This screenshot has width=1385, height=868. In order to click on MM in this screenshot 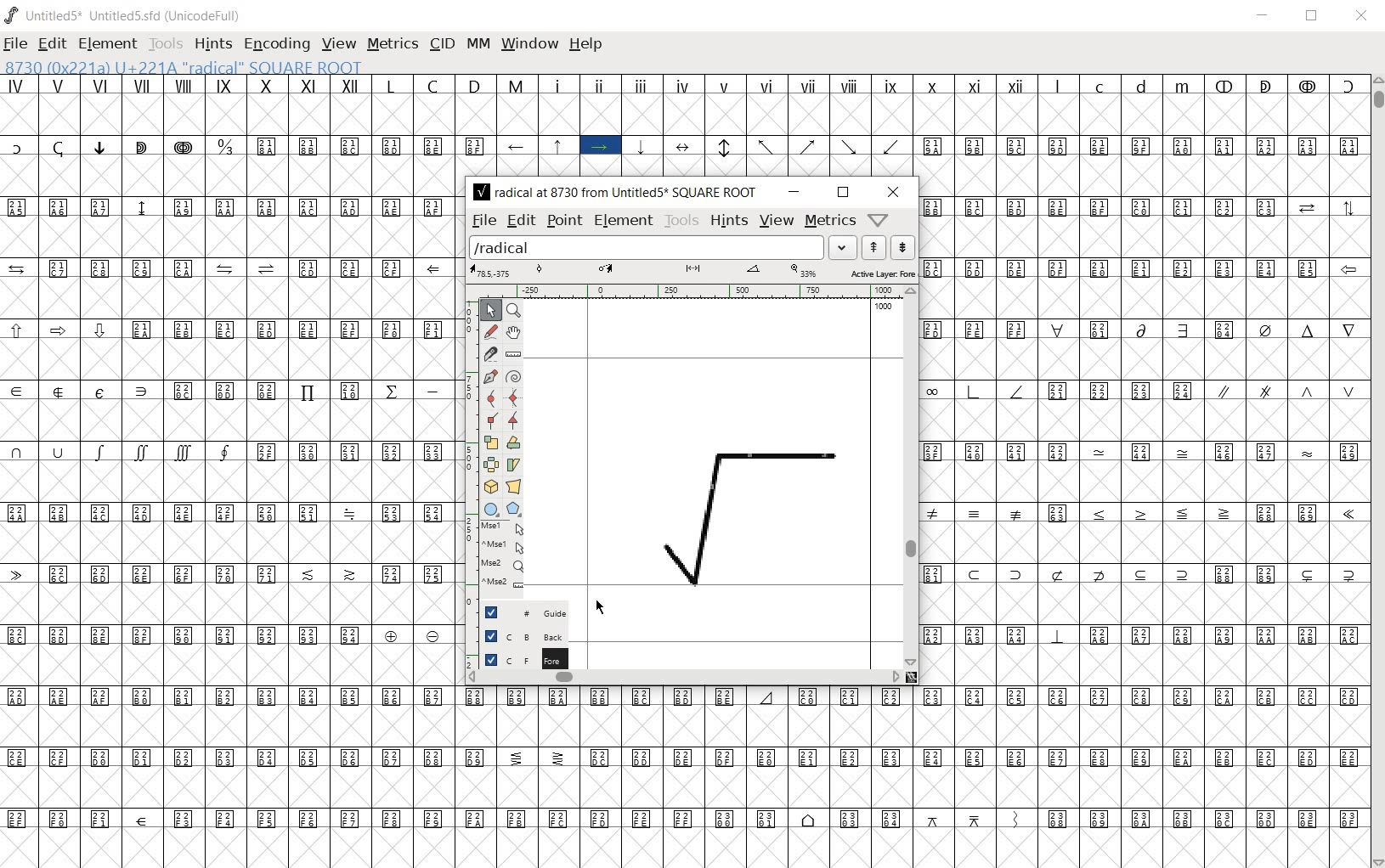, I will do `click(477, 45)`.